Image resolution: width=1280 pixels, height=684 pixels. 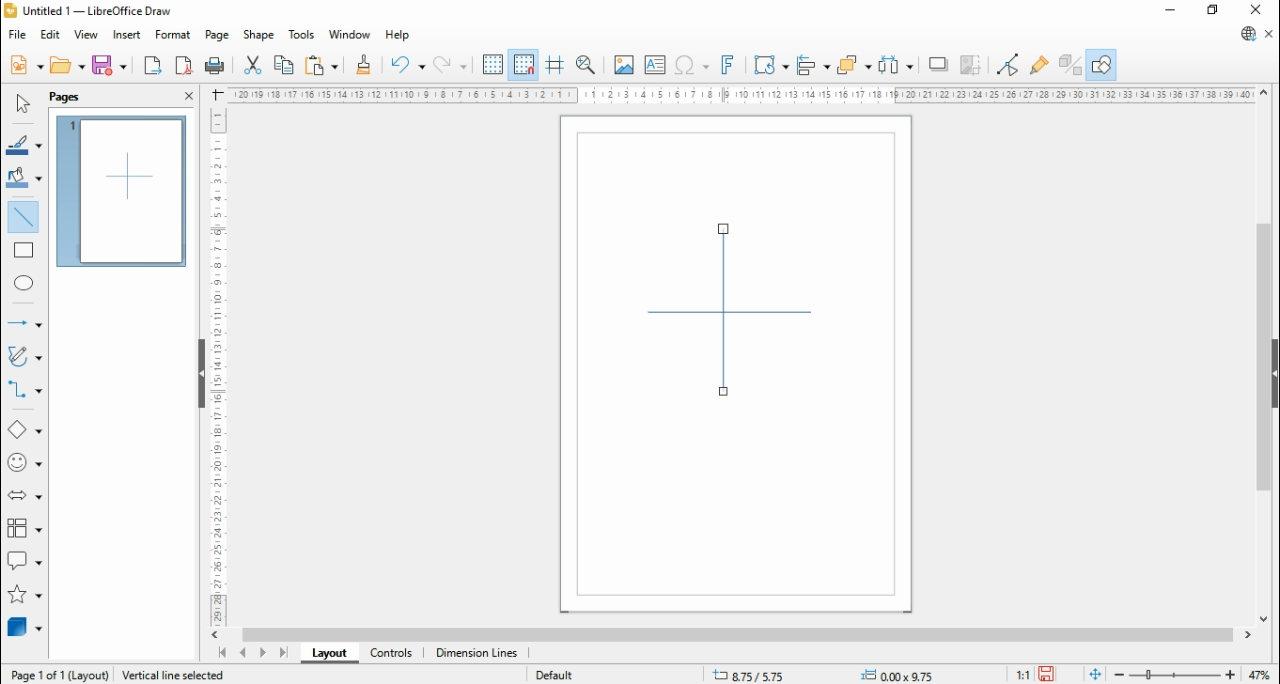 I want to click on redo, so click(x=451, y=64).